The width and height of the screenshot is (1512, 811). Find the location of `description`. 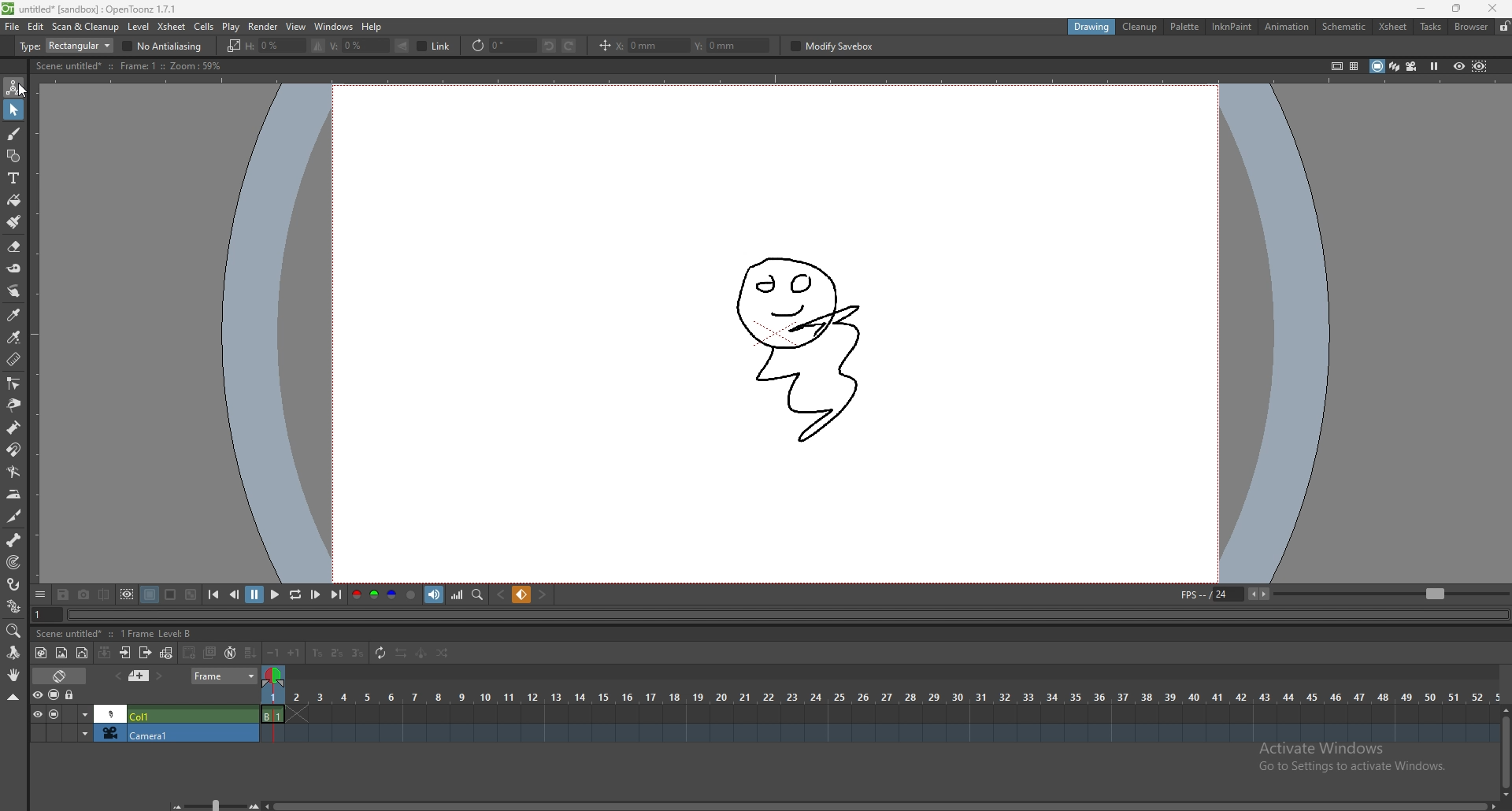

description is located at coordinates (127, 65).